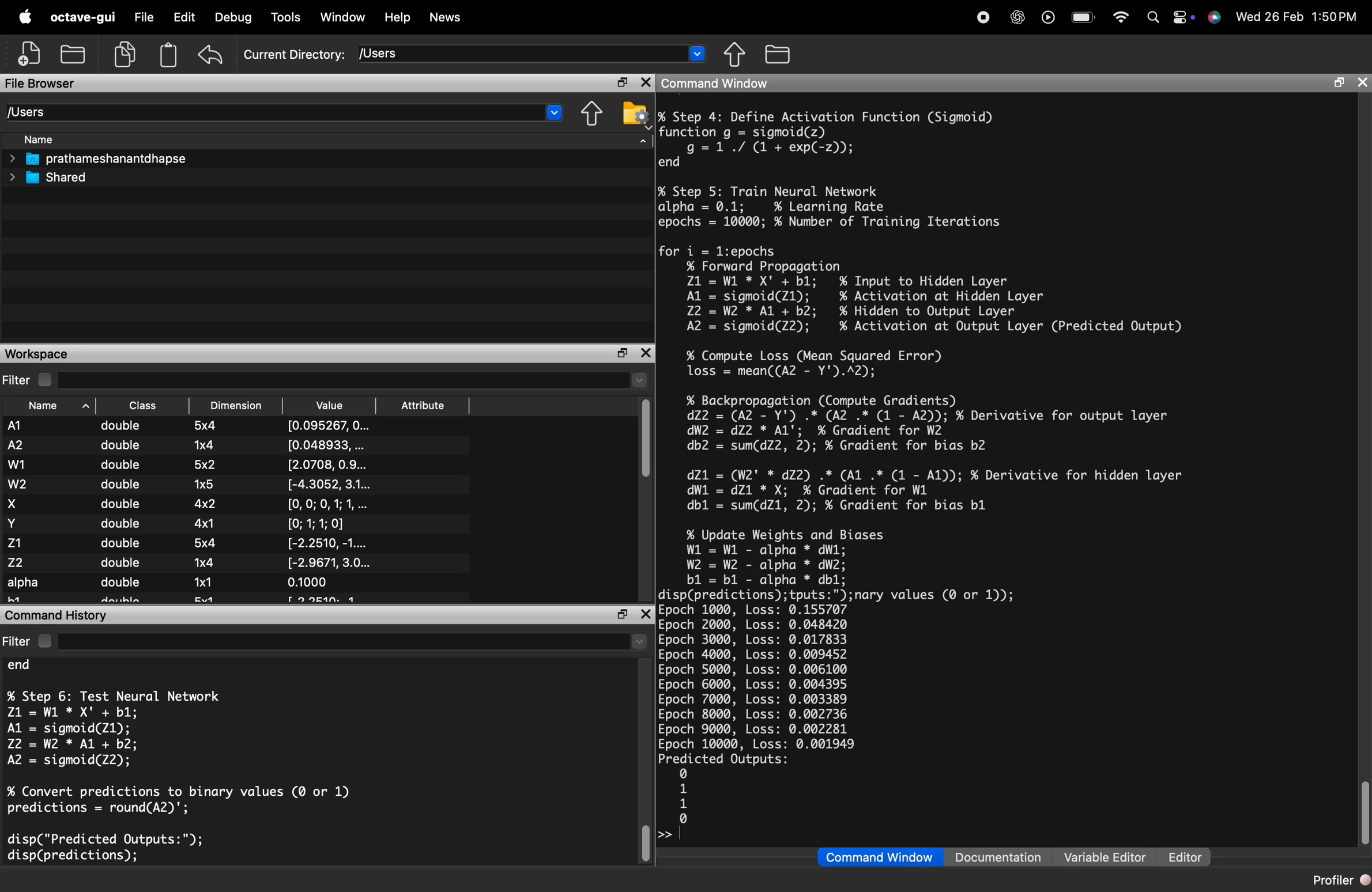 The image size is (1372, 892). What do you see at coordinates (207, 544) in the screenshot?
I see `5x4` at bounding box center [207, 544].